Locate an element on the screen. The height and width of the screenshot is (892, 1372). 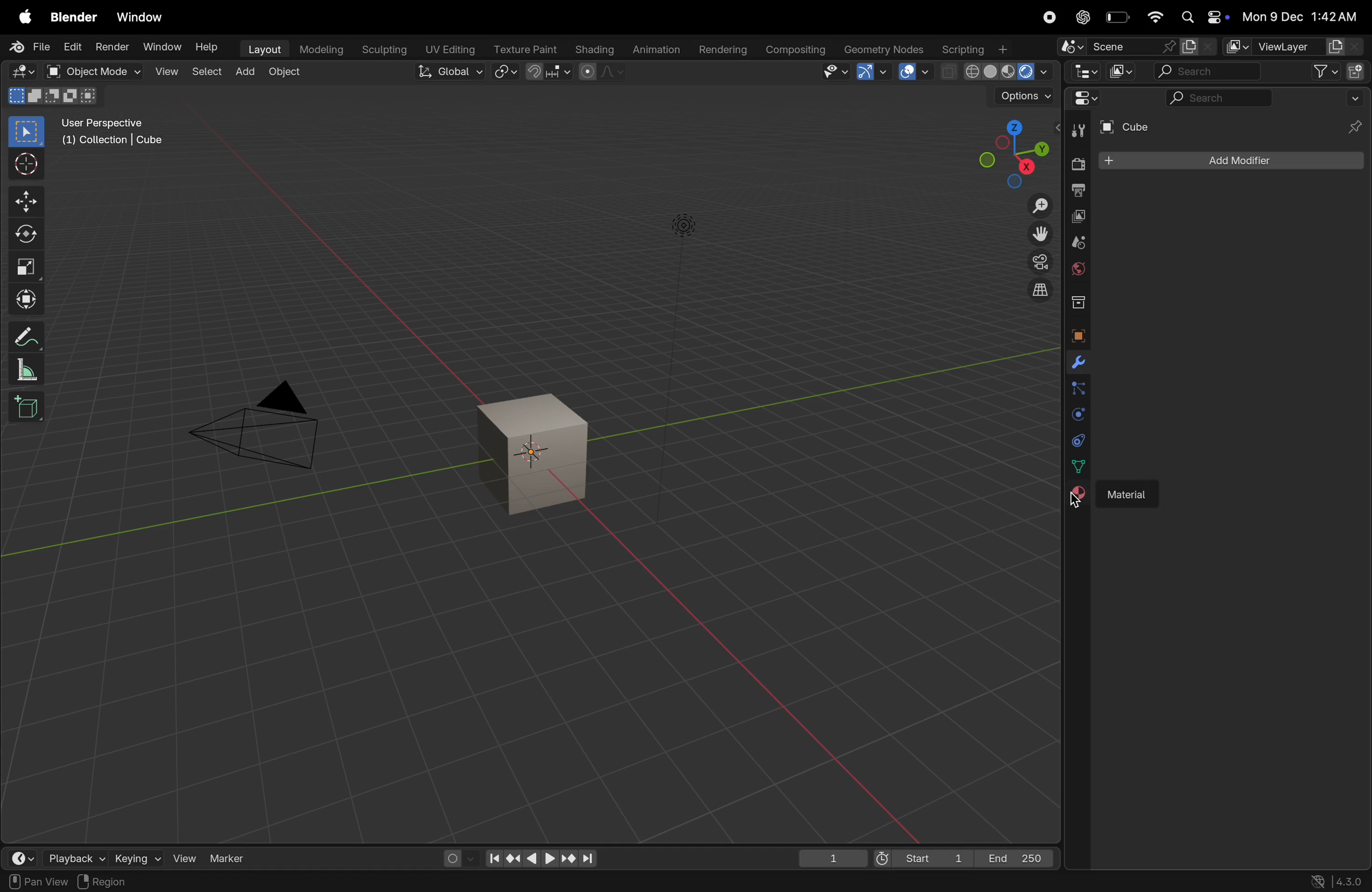
orthographic projection is located at coordinates (1041, 290).